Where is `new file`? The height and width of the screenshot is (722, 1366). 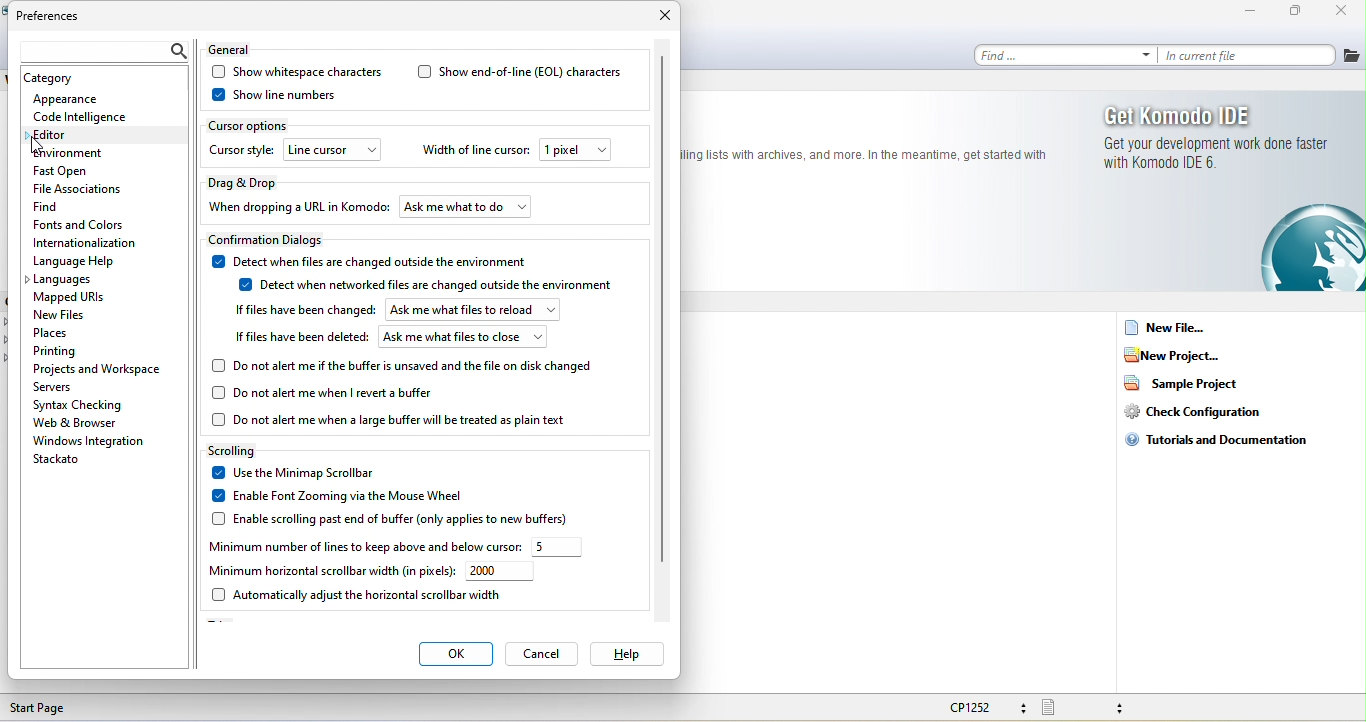
new file is located at coordinates (1168, 328).